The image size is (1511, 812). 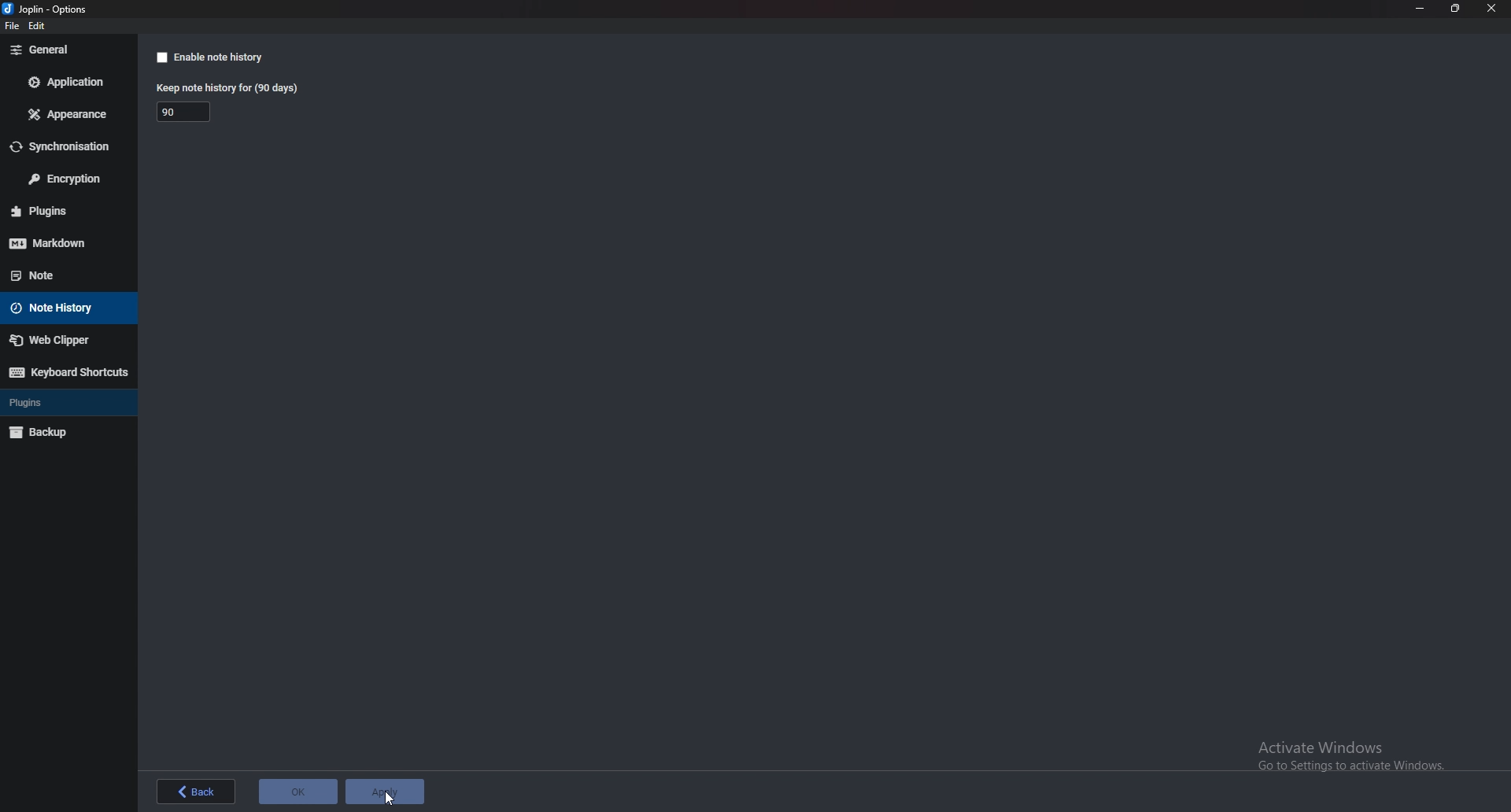 What do you see at coordinates (63, 402) in the screenshot?
I see `Plugins` at bounding box center [63, 402].